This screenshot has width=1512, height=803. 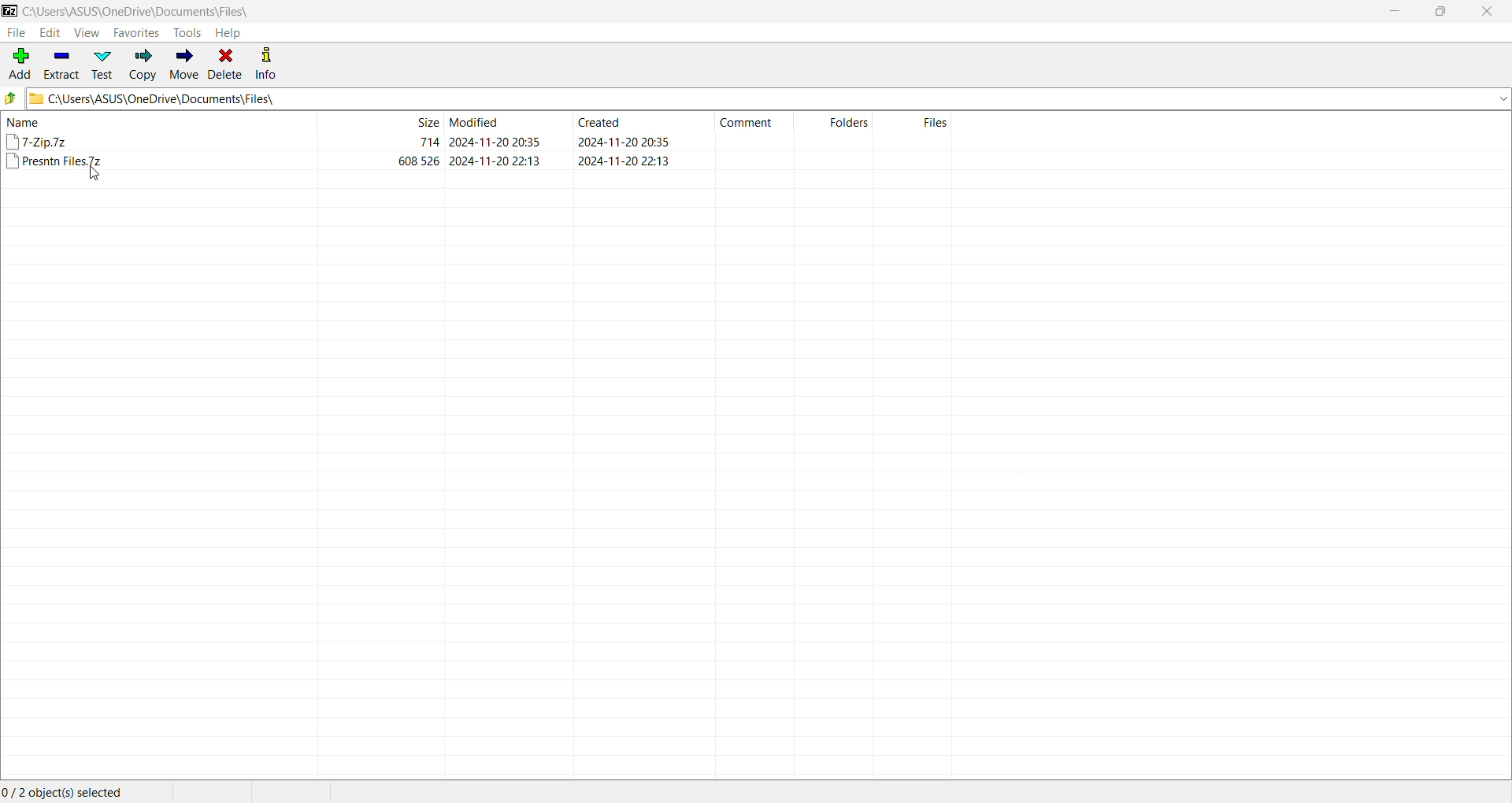 What do you see at coordinates (143, 65) in the screenshot?
I see `Copy` at bounding box center [143, 65].